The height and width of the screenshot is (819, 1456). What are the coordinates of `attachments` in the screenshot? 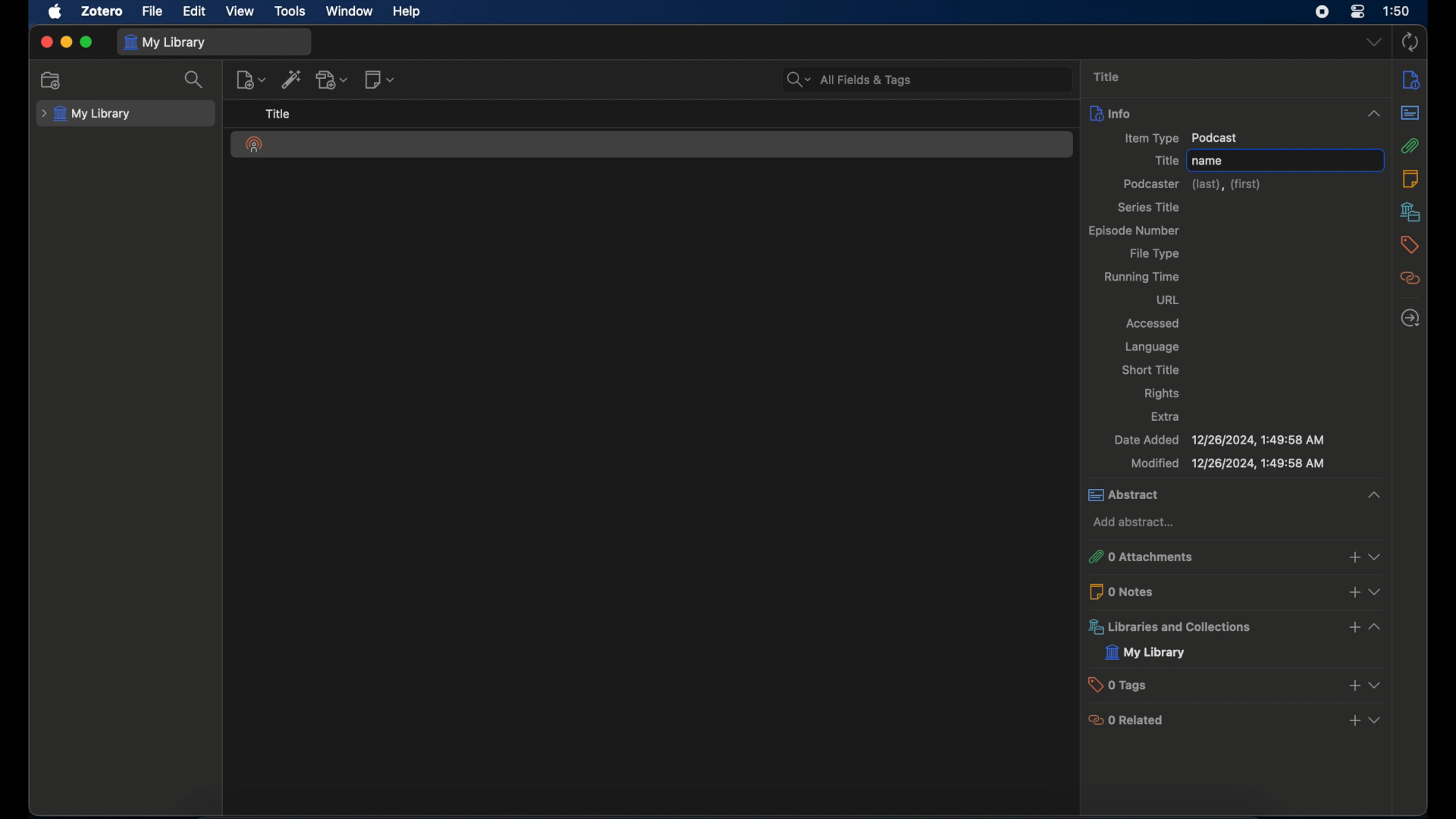 It's located at (1410, 146).